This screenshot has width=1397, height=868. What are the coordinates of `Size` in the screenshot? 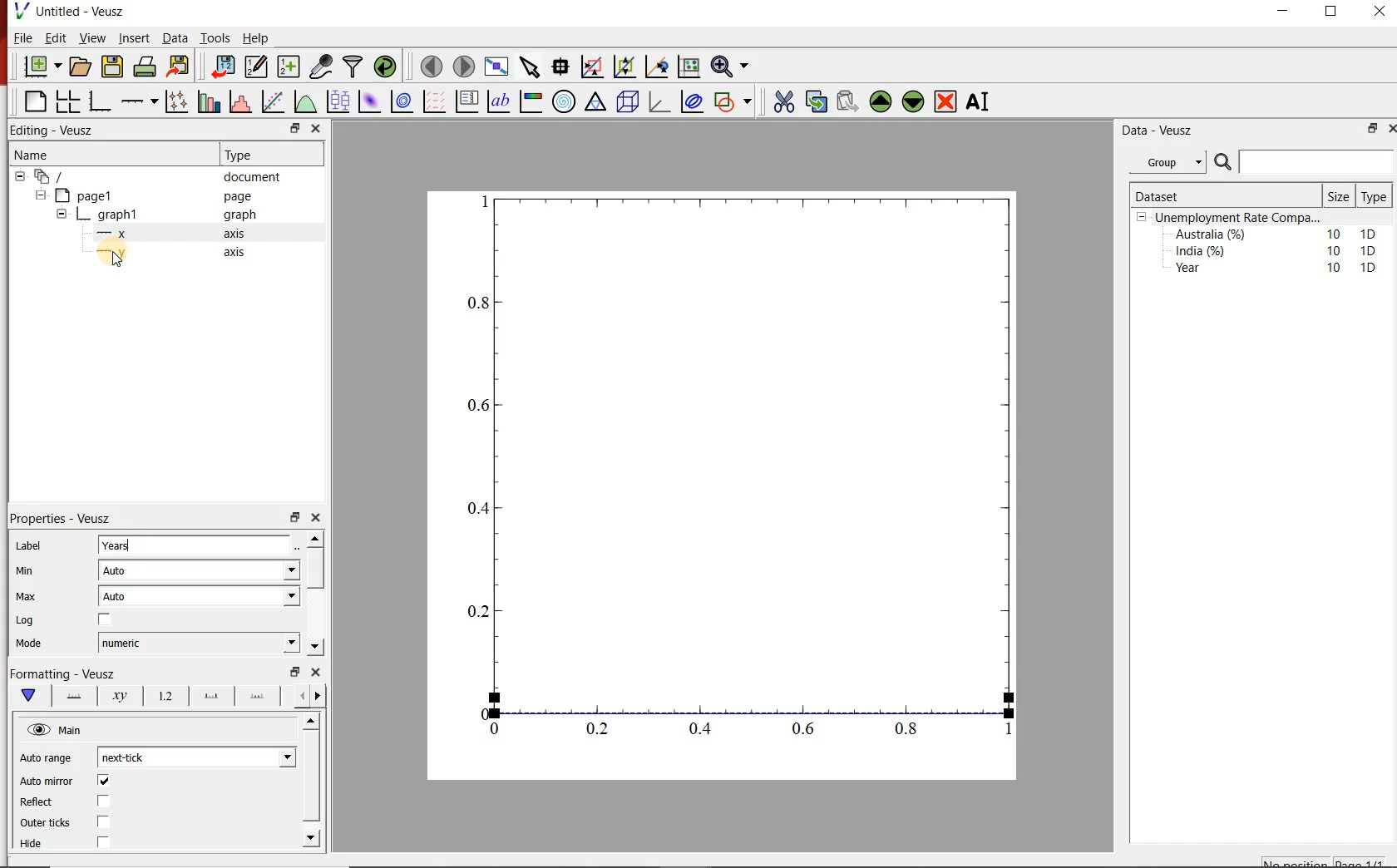 It's located at (1340, 196).